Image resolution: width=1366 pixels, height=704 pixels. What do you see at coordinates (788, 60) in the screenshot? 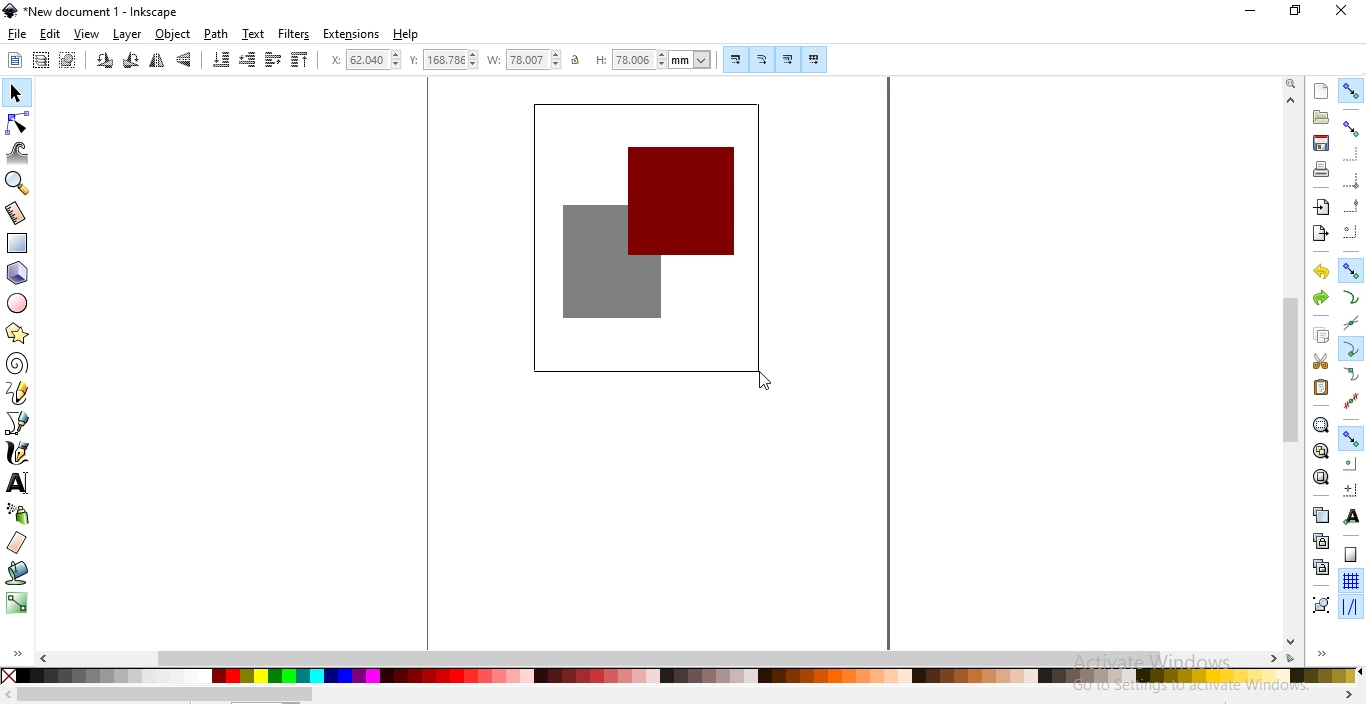
I see `move gradient along with objects` at bounding box center [788, 60].